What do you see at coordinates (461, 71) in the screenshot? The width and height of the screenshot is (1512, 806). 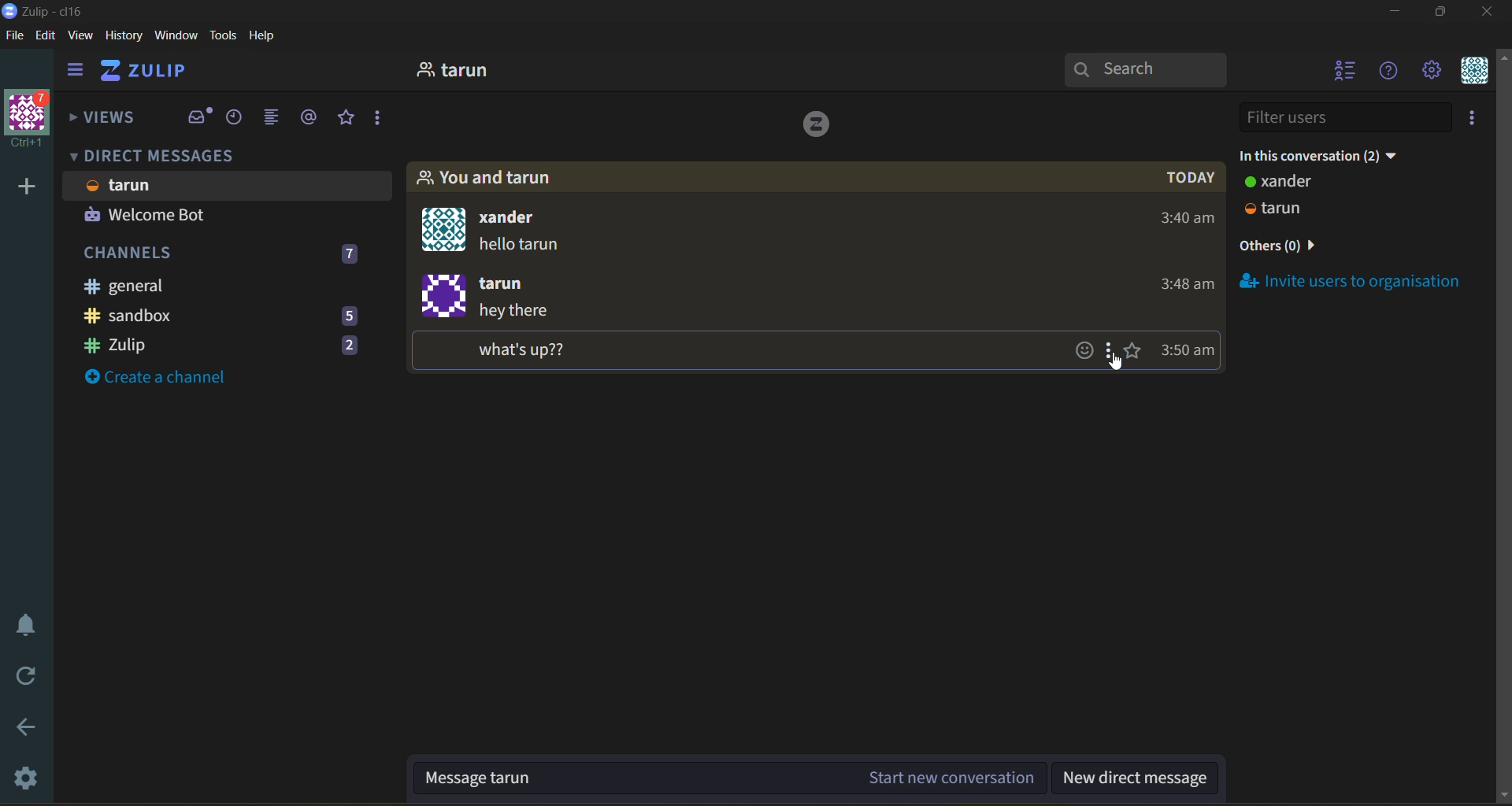 I see `user` at bounding box center [461, 71].